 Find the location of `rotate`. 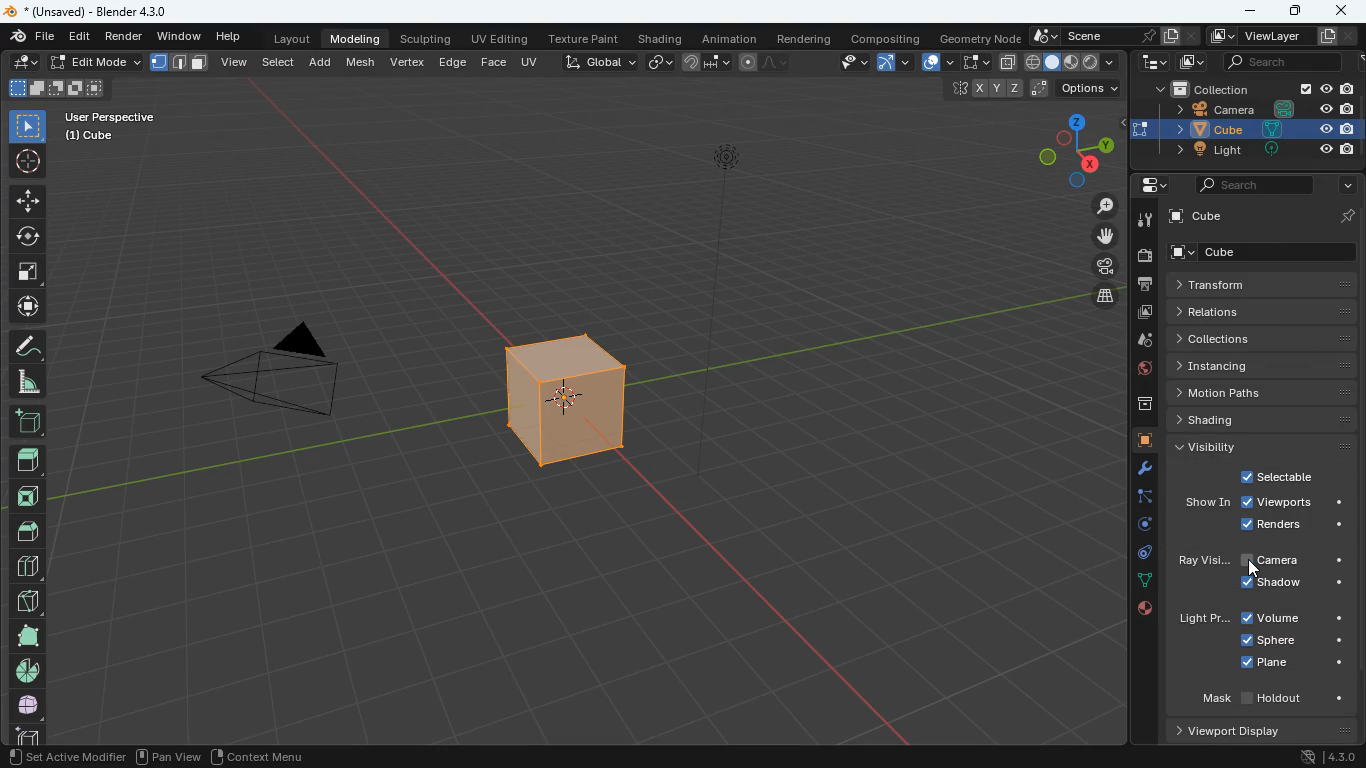

rotate is located at coordinates (28, 238).